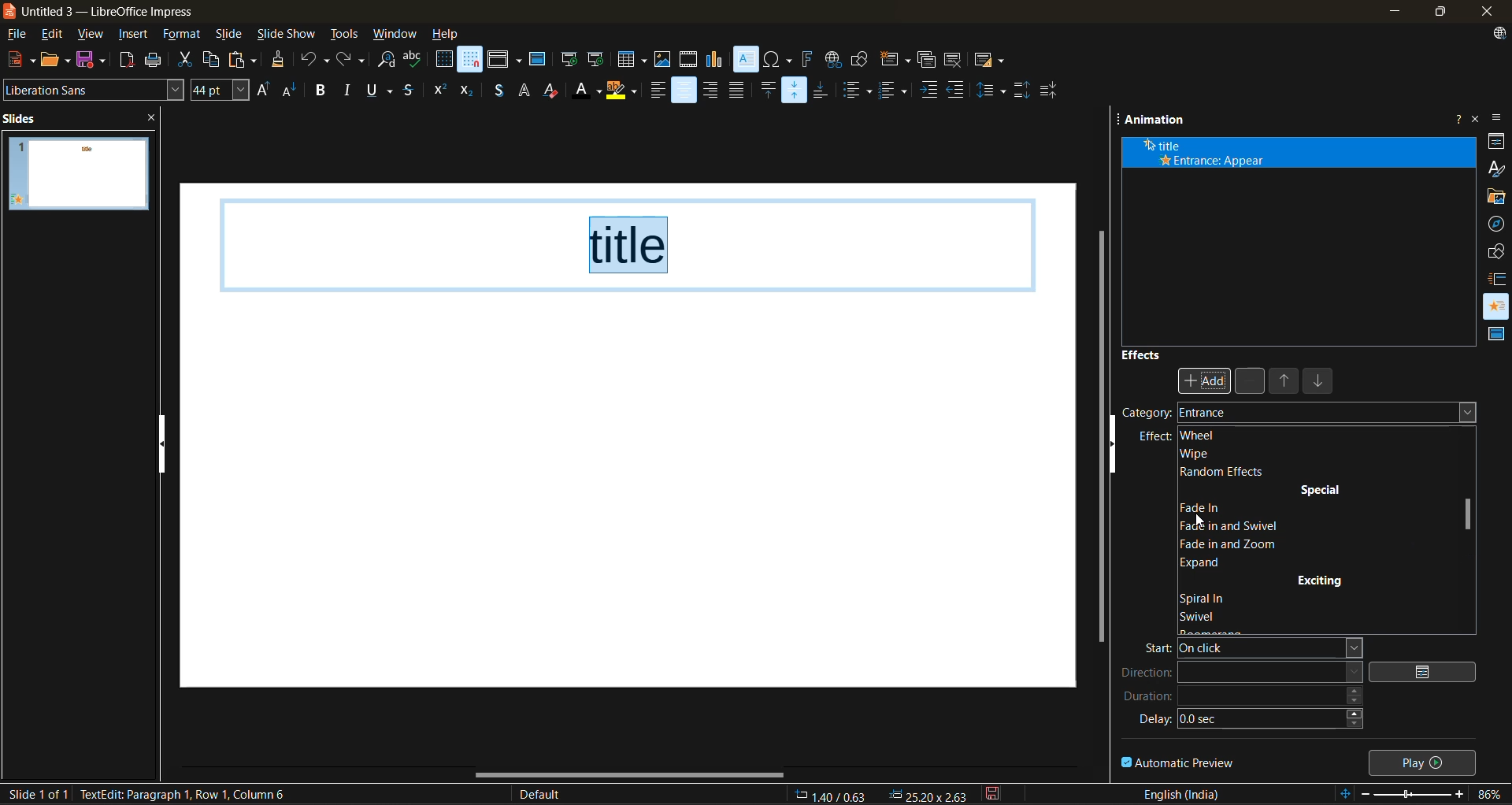 The image size is (1512, 805). I want to click on edit, so click(55, 34).